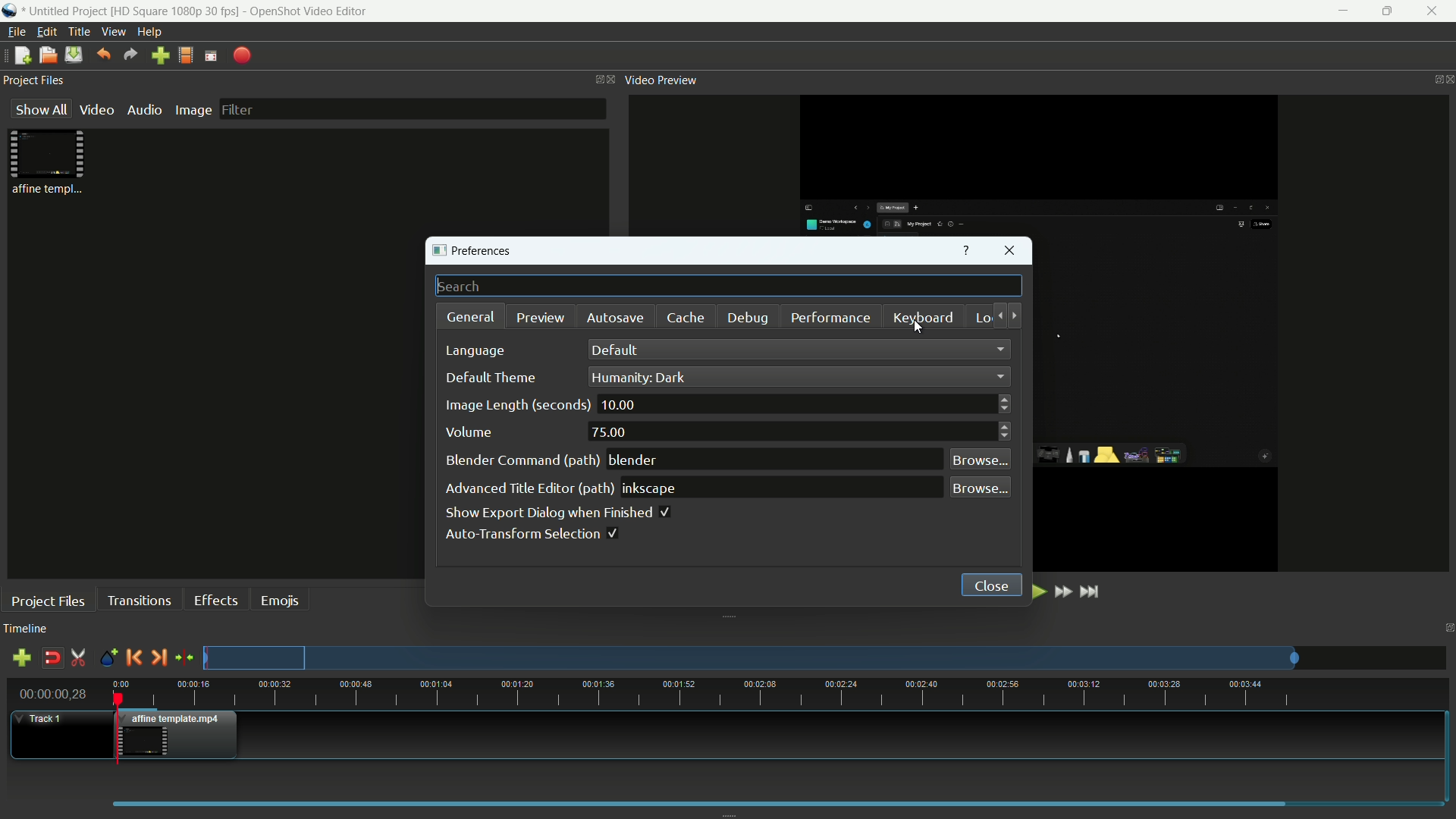 This screenshot has height=819, width=1456. Describe the element at coordinates (750, 318) in the screenshot. I see `debug` at that location.